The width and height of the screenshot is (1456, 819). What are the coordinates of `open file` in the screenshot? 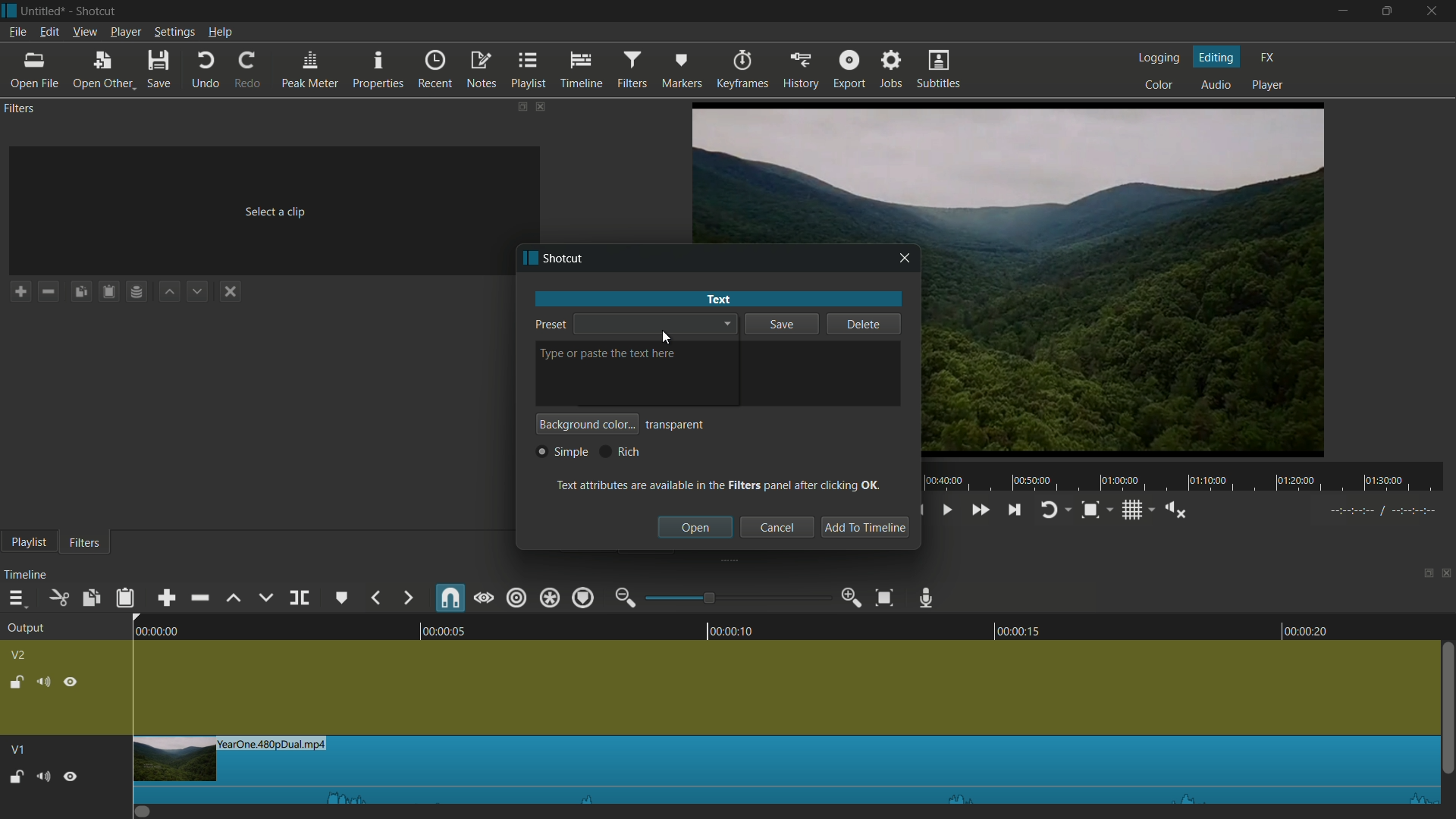 It's located at (33, 71).